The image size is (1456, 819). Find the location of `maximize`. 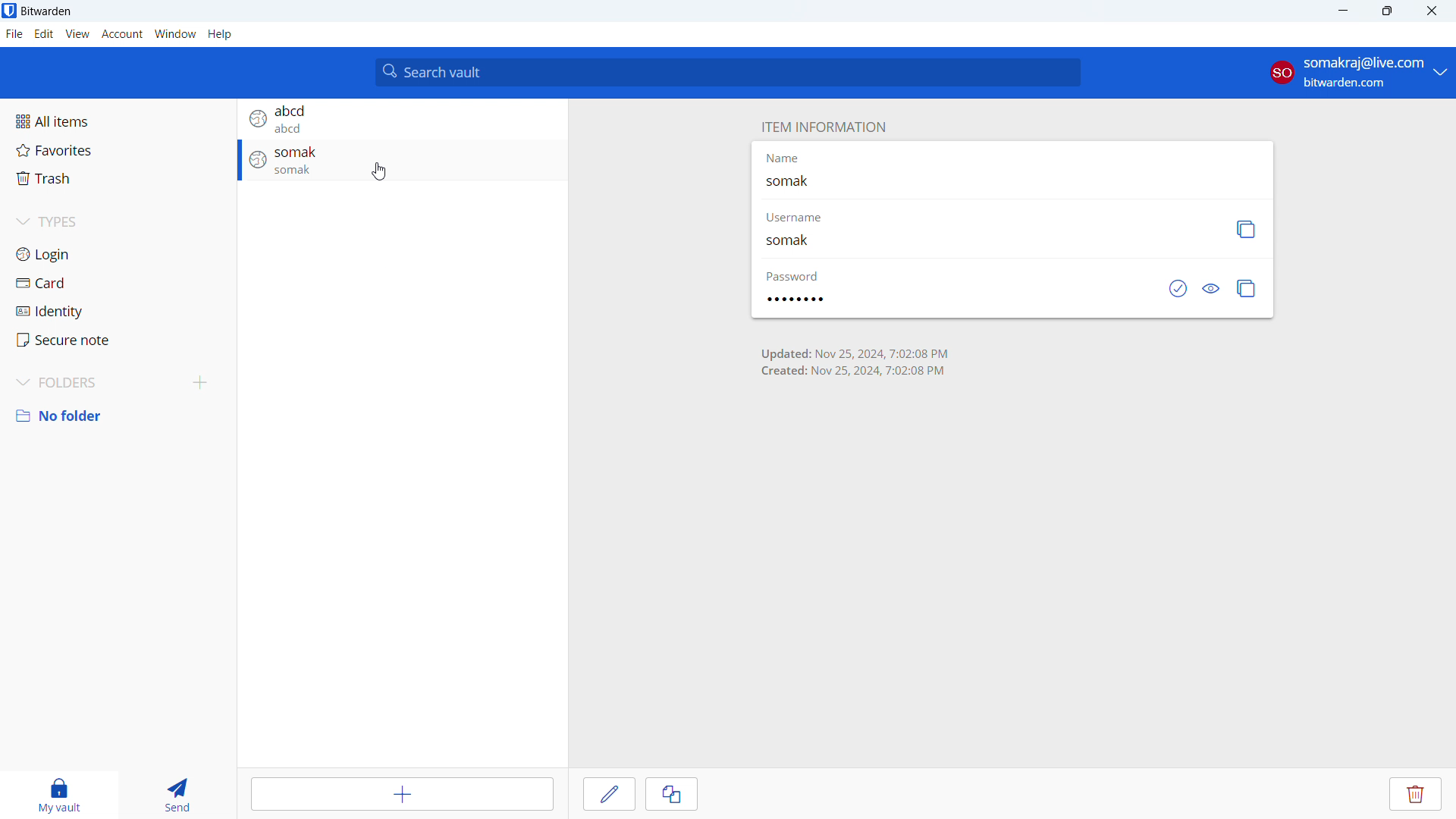

maximize is located at coordinates (1386, 11).